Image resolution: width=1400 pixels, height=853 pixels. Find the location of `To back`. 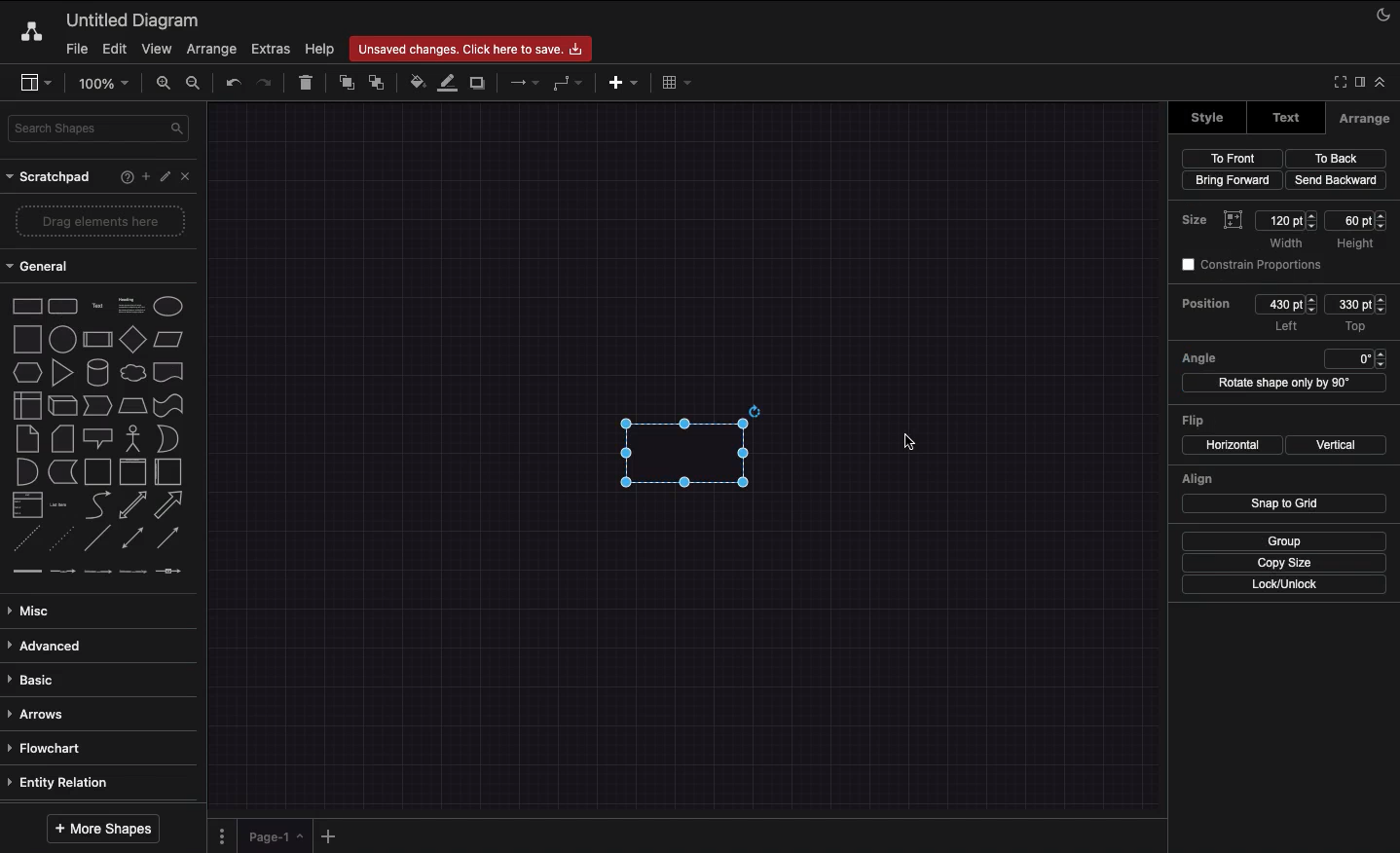

To back is located at coordinates (1338, 156).